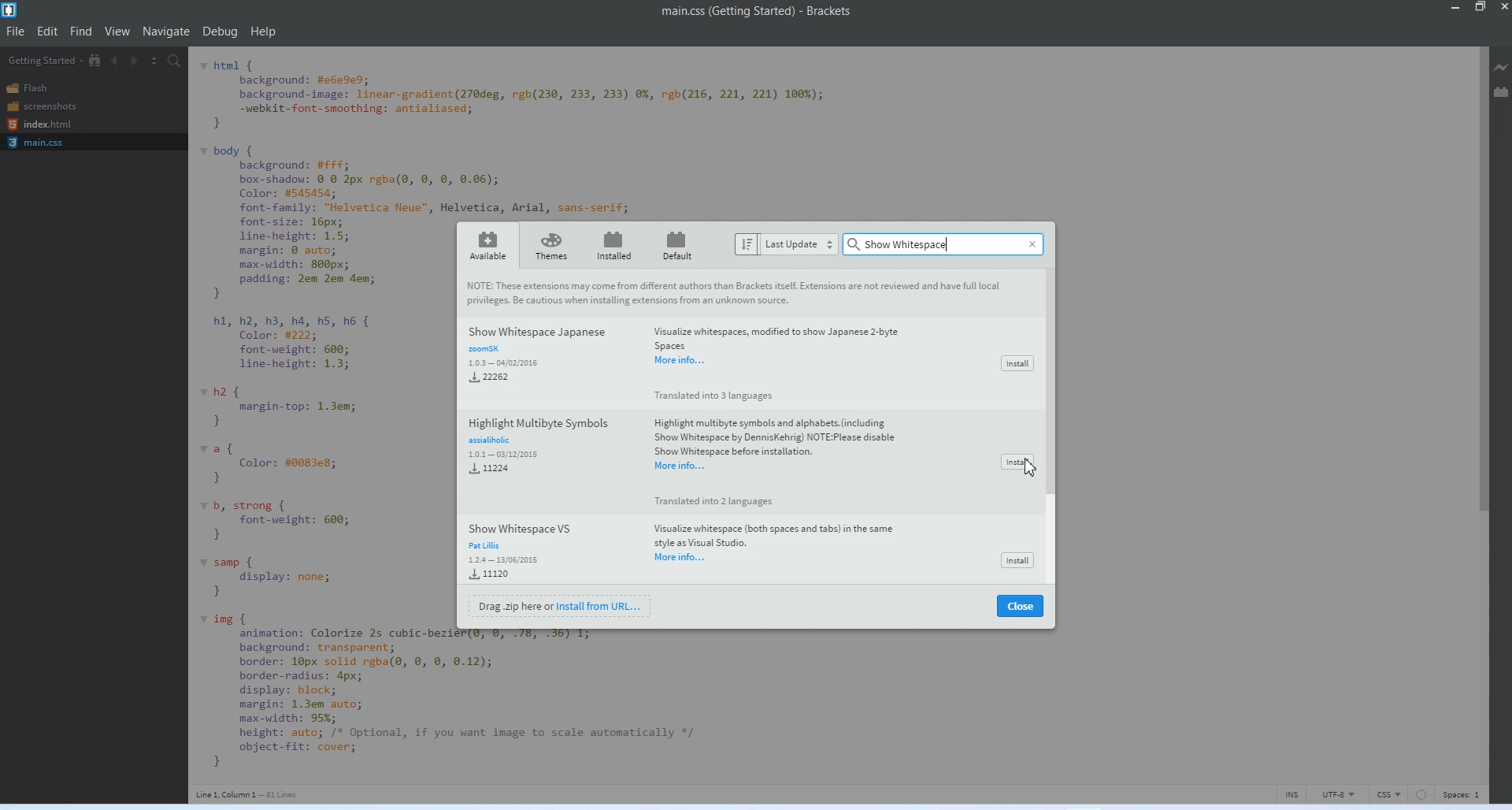 The image size is (1512, 810). Describe the element at coordinates (563, 605) in the screenshot. I see `Install from URL` at that location.